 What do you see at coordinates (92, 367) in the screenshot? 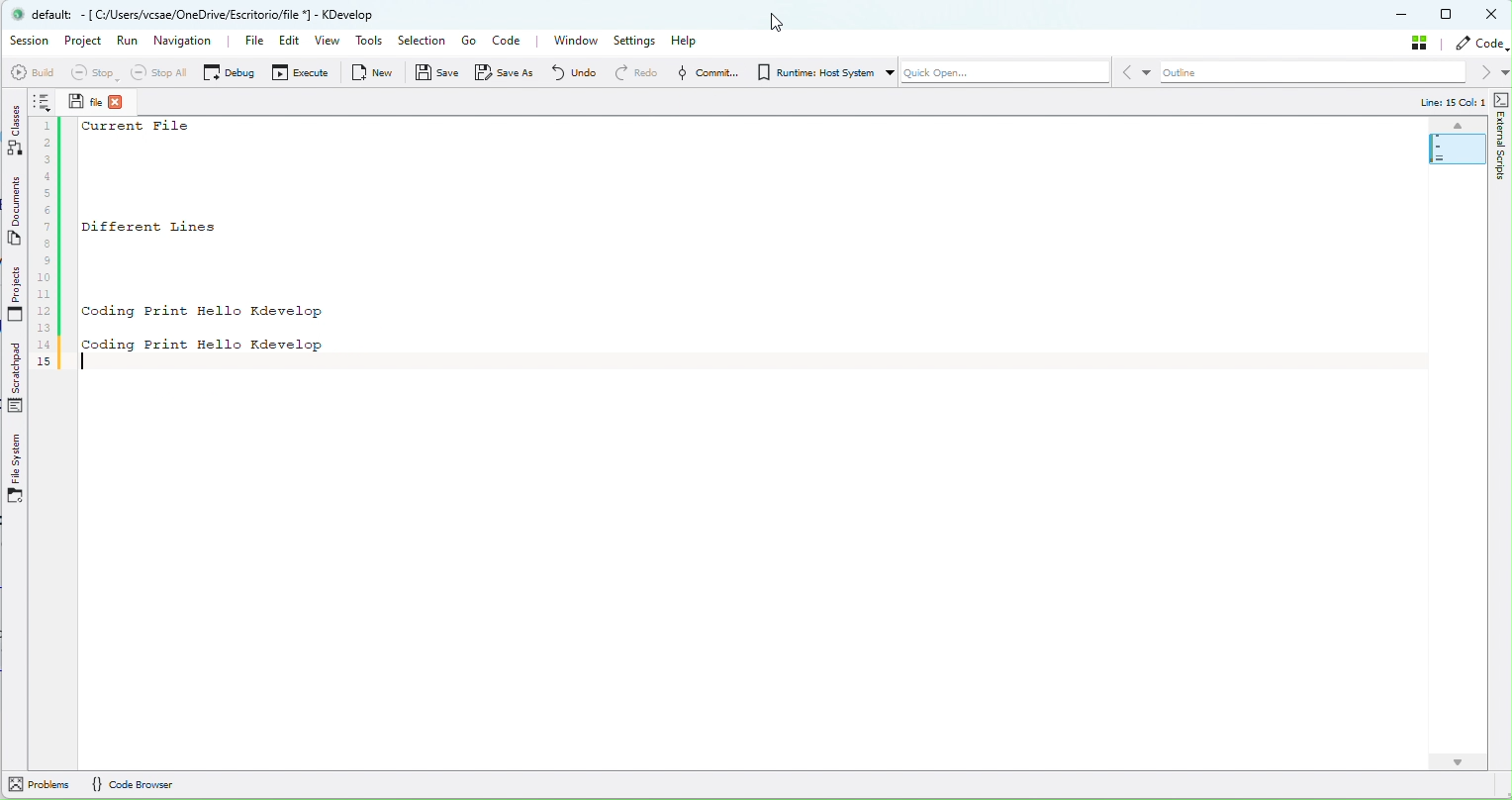
I see `Text Cursor` at bounding box center [92, 367].